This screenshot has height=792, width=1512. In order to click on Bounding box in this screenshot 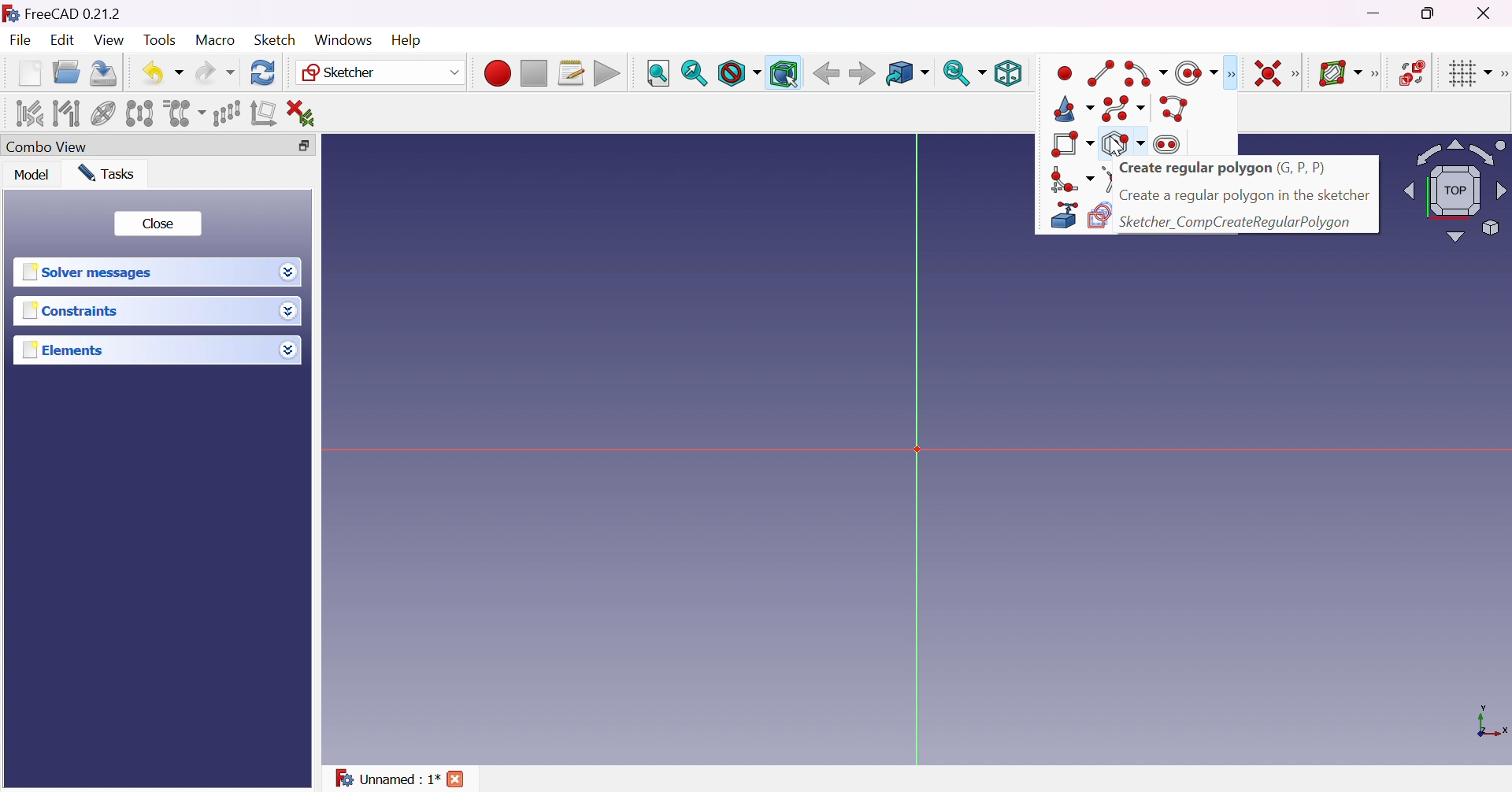, I will do `click(784, 74)`.